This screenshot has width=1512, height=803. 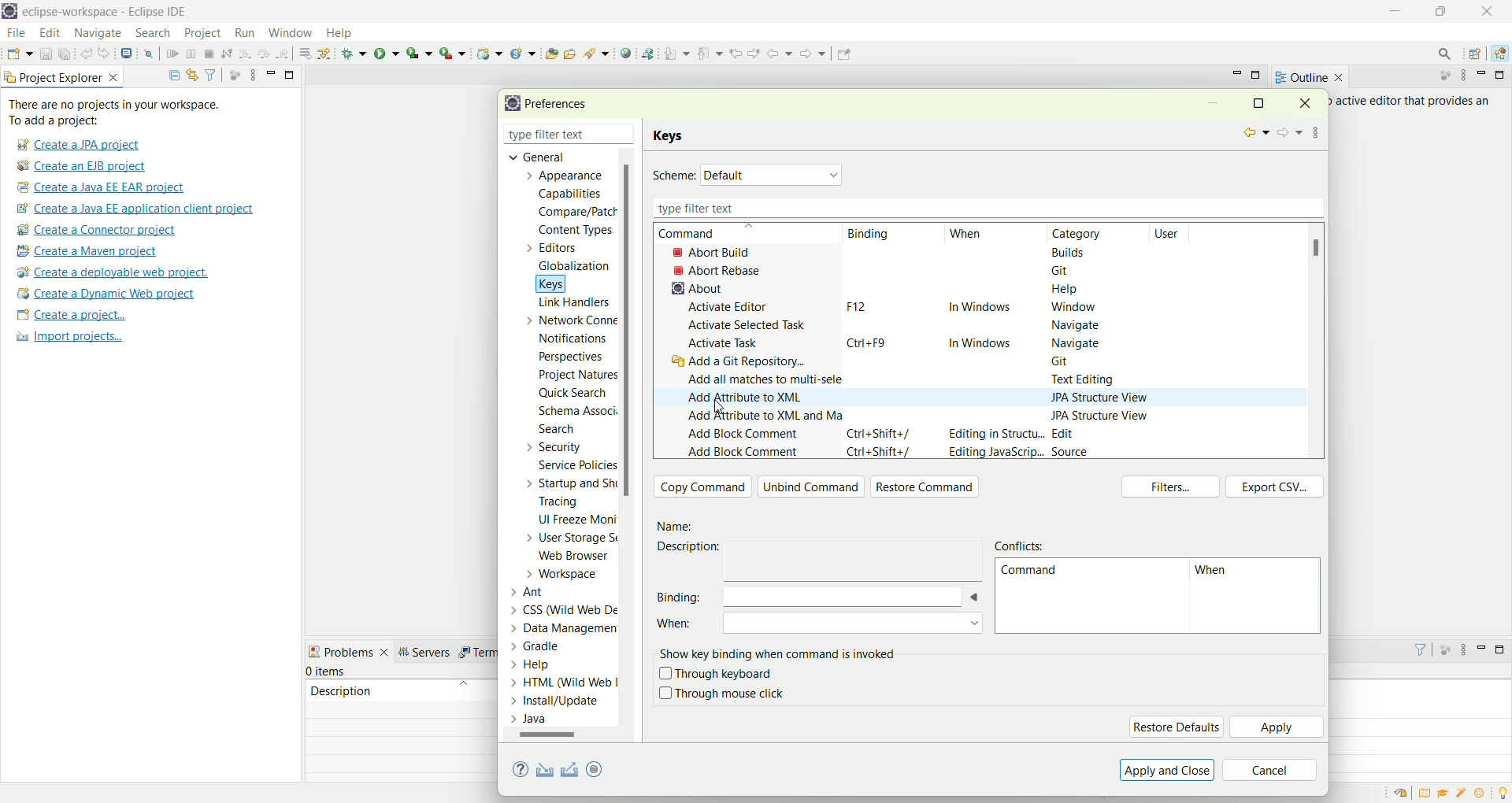 What do you see at coordinates (527, 54) in the screenshot?
I see `create a new Java servlet` at bounding box center [527, 54].